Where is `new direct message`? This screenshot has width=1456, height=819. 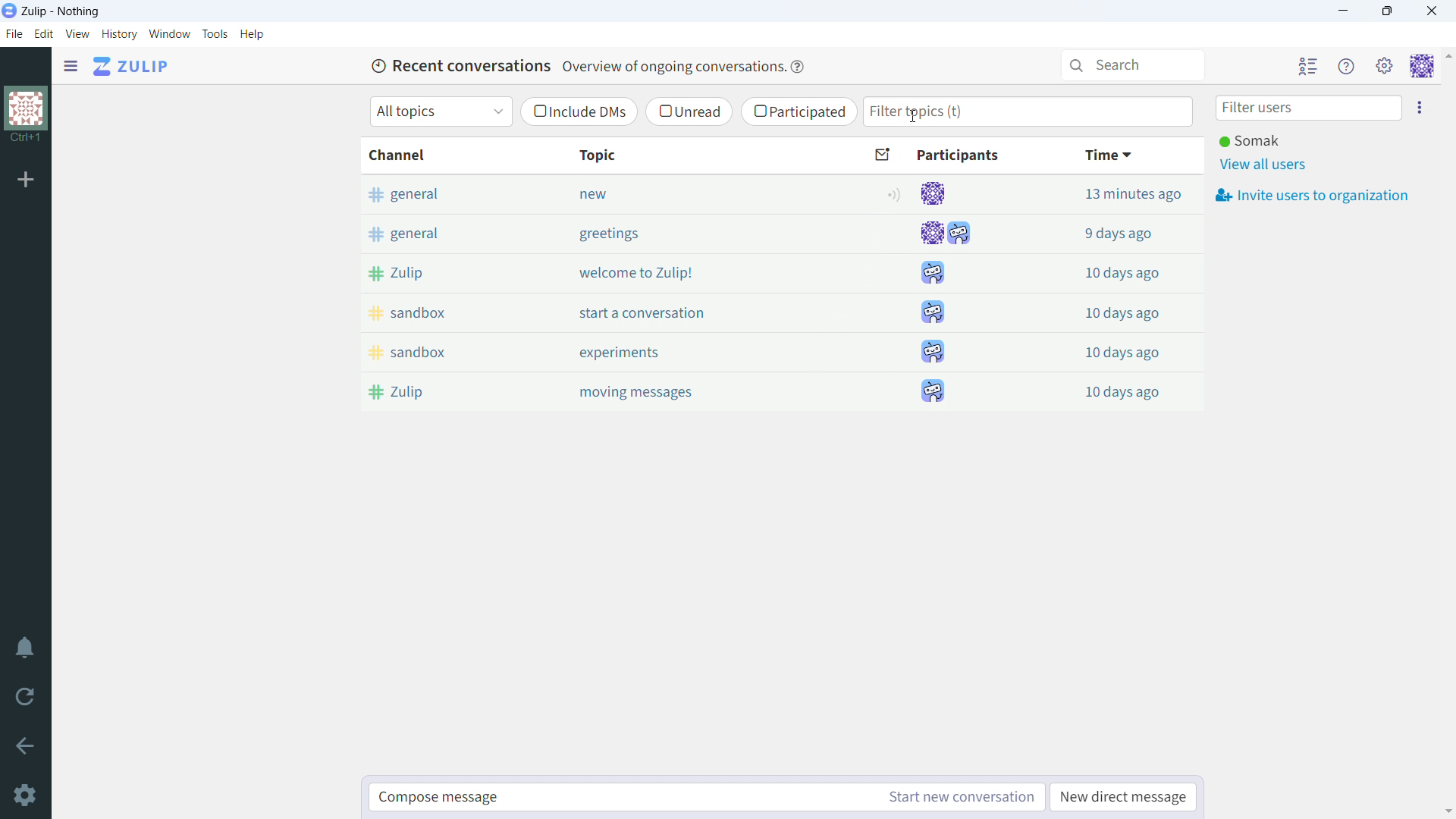
new direct message is located at coordinates (1123, 797).